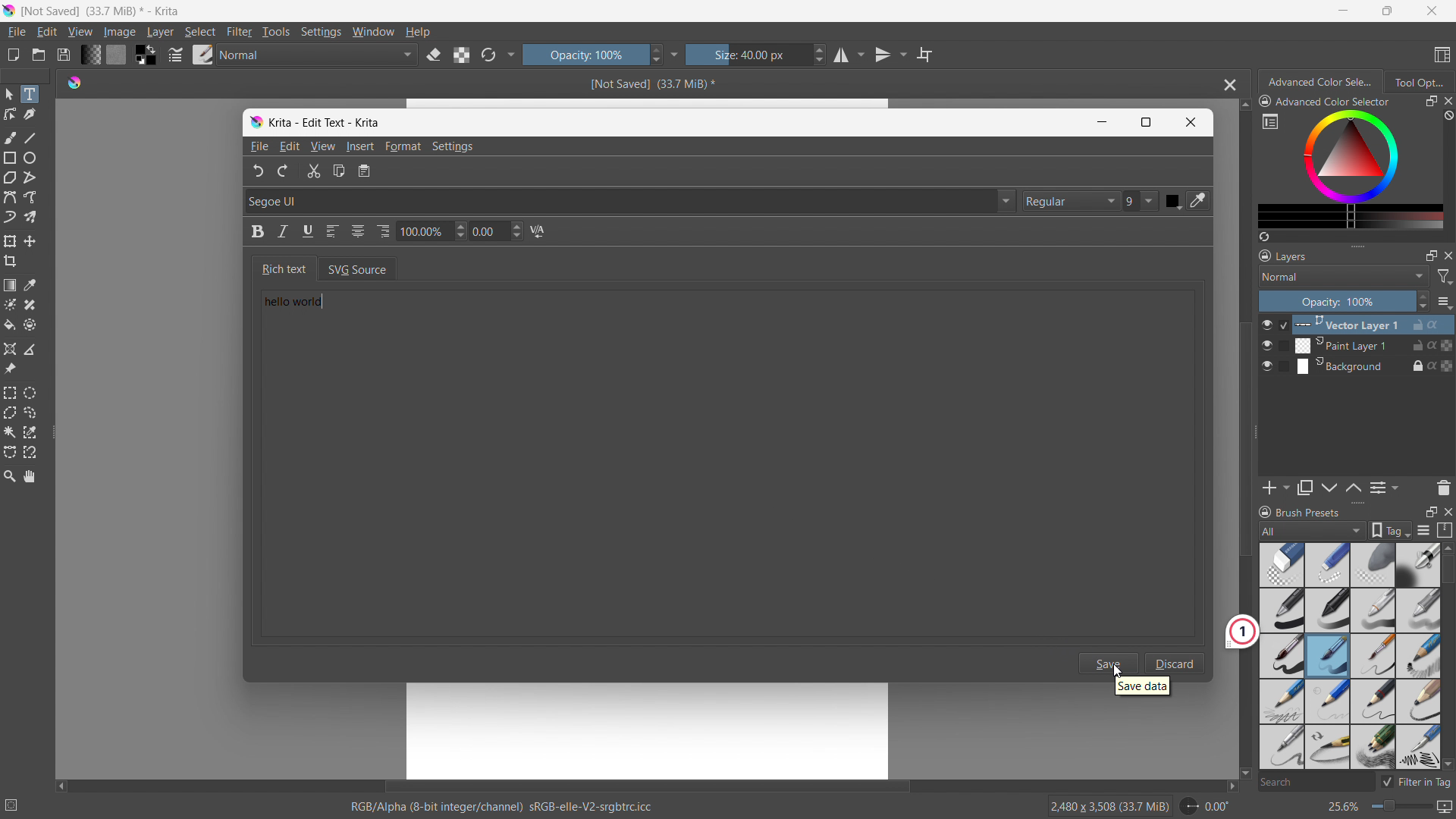 Image resolution: width=1456 pixels, height=819 pixels. I want to click on resize, so click(1357, 244).